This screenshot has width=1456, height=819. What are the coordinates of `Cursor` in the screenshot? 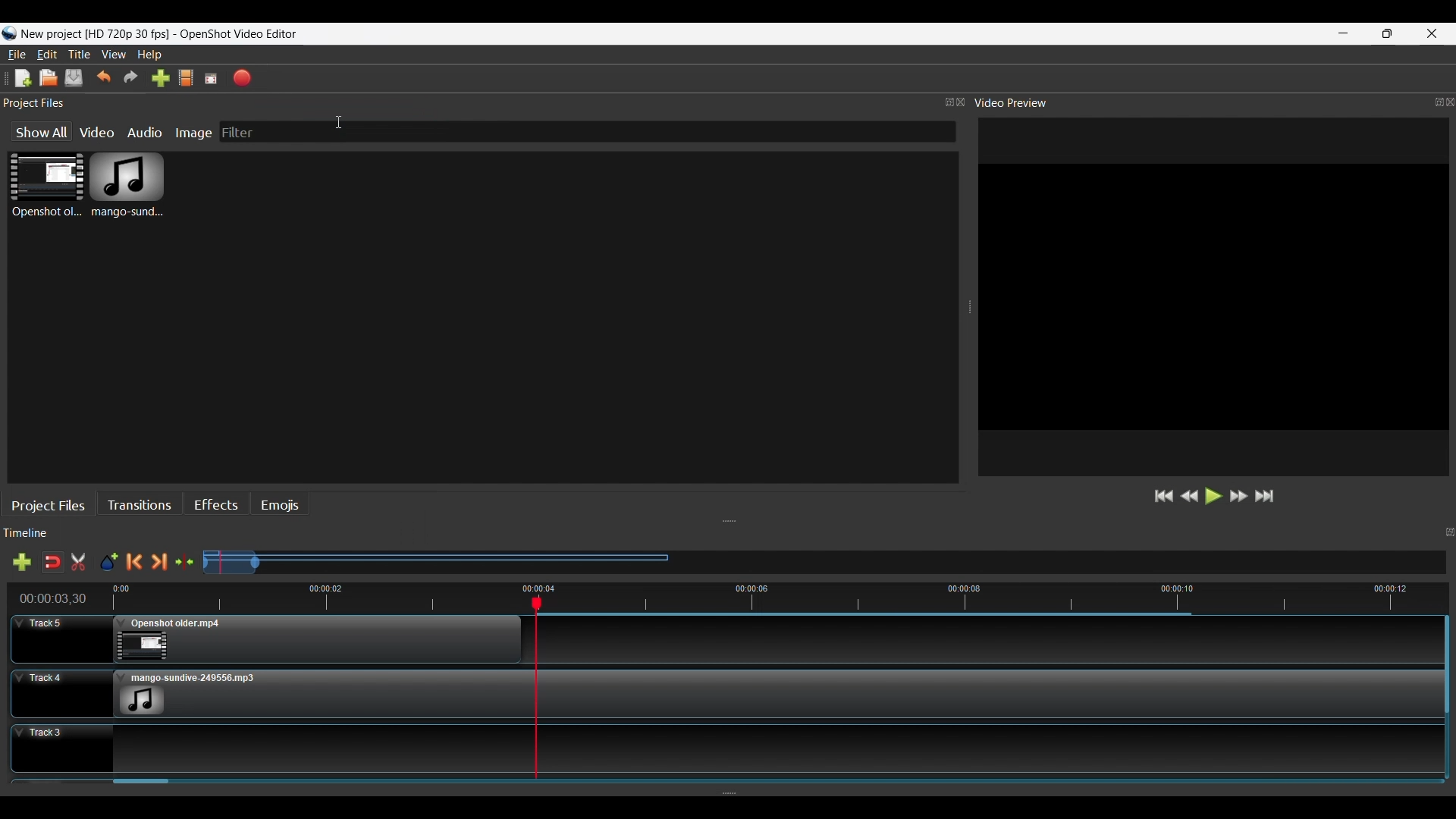 It's located at (343, 121).